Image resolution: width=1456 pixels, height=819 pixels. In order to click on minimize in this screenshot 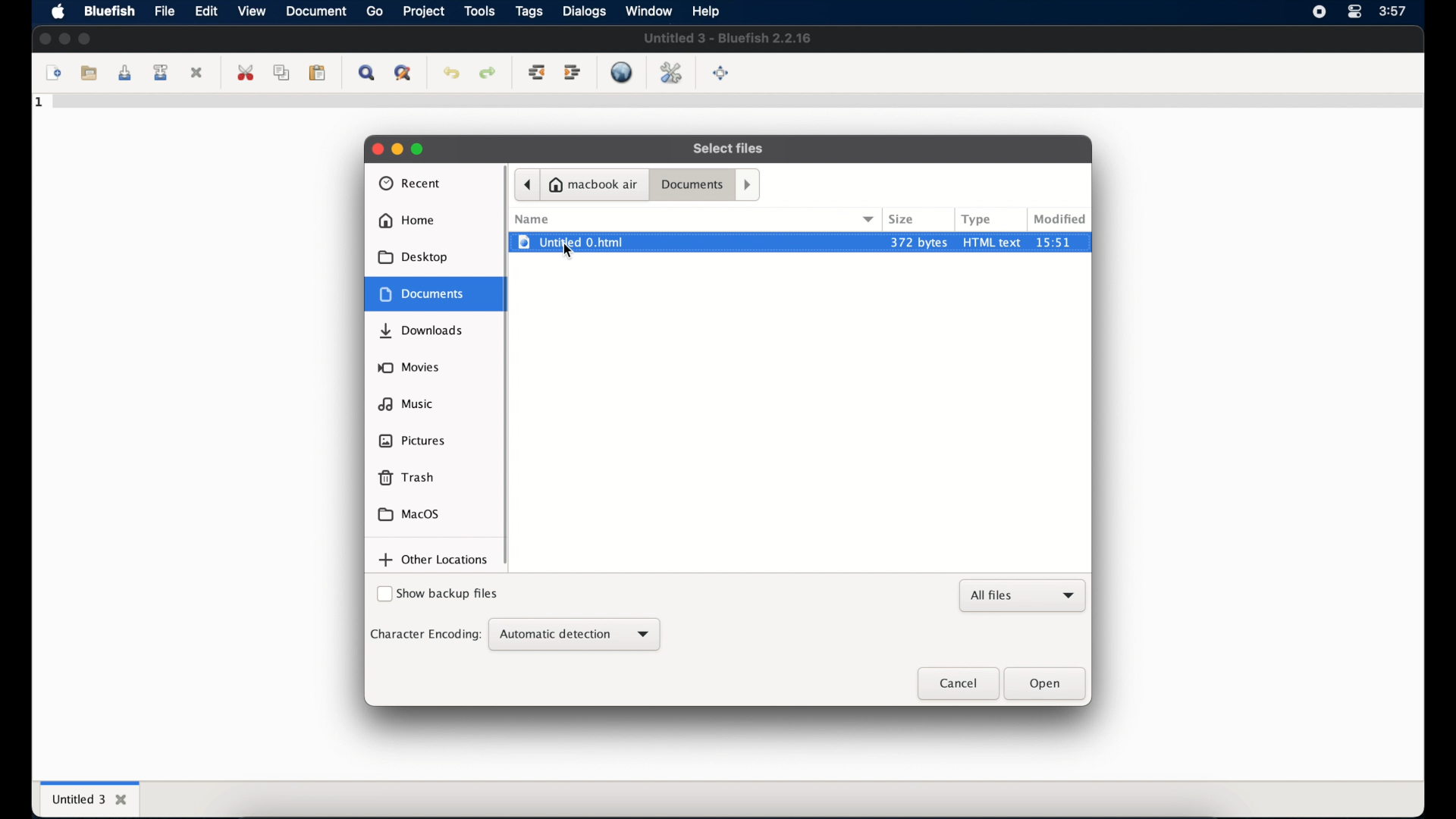, I will do `click(64, 38)`.